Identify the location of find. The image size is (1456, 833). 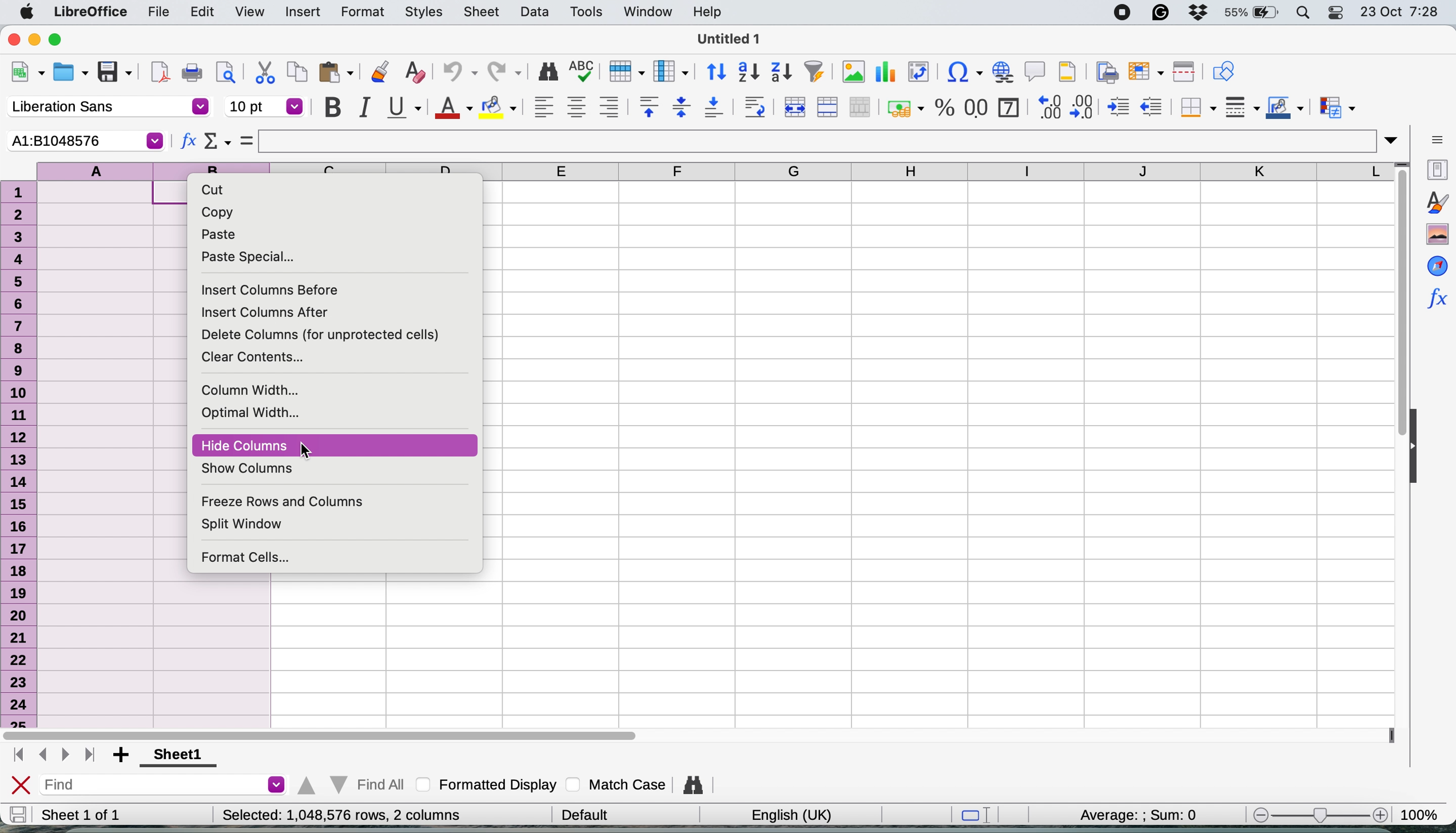
(162, 784).